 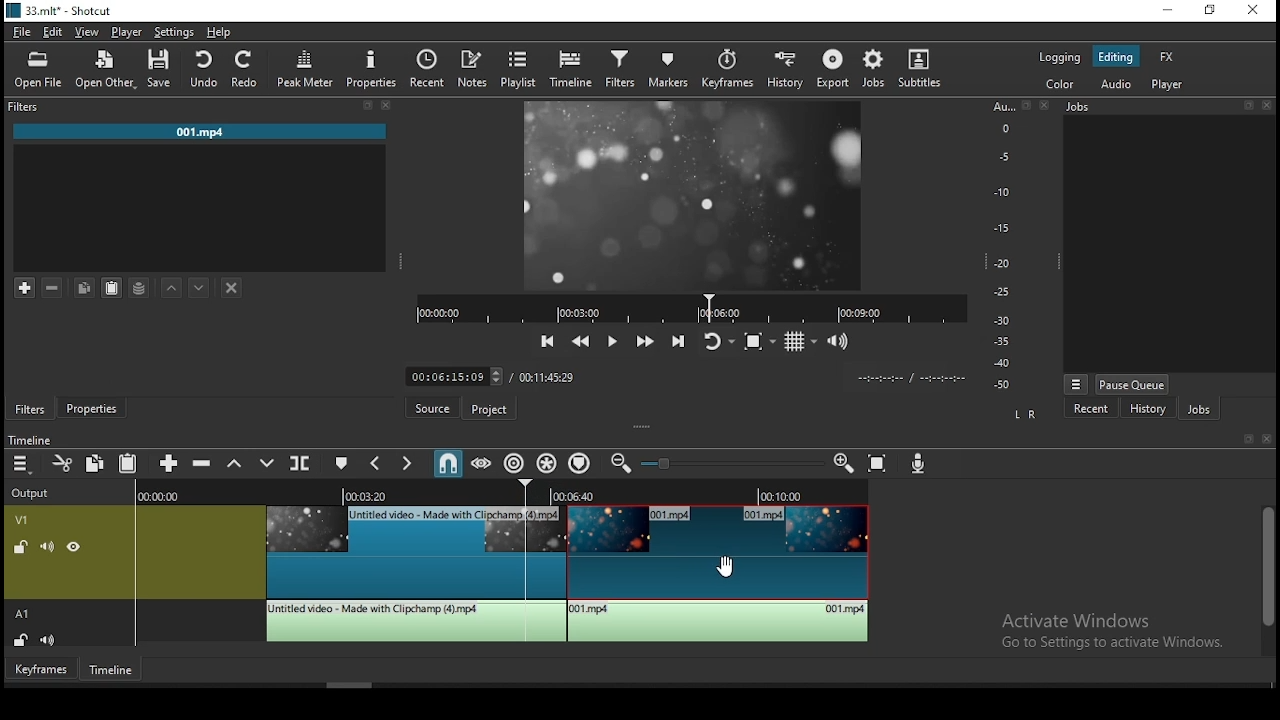 What do you see at coordinates (802, 339) in the screenshot?
I see `toggle grid display on player` at bounding box center [802, 339].